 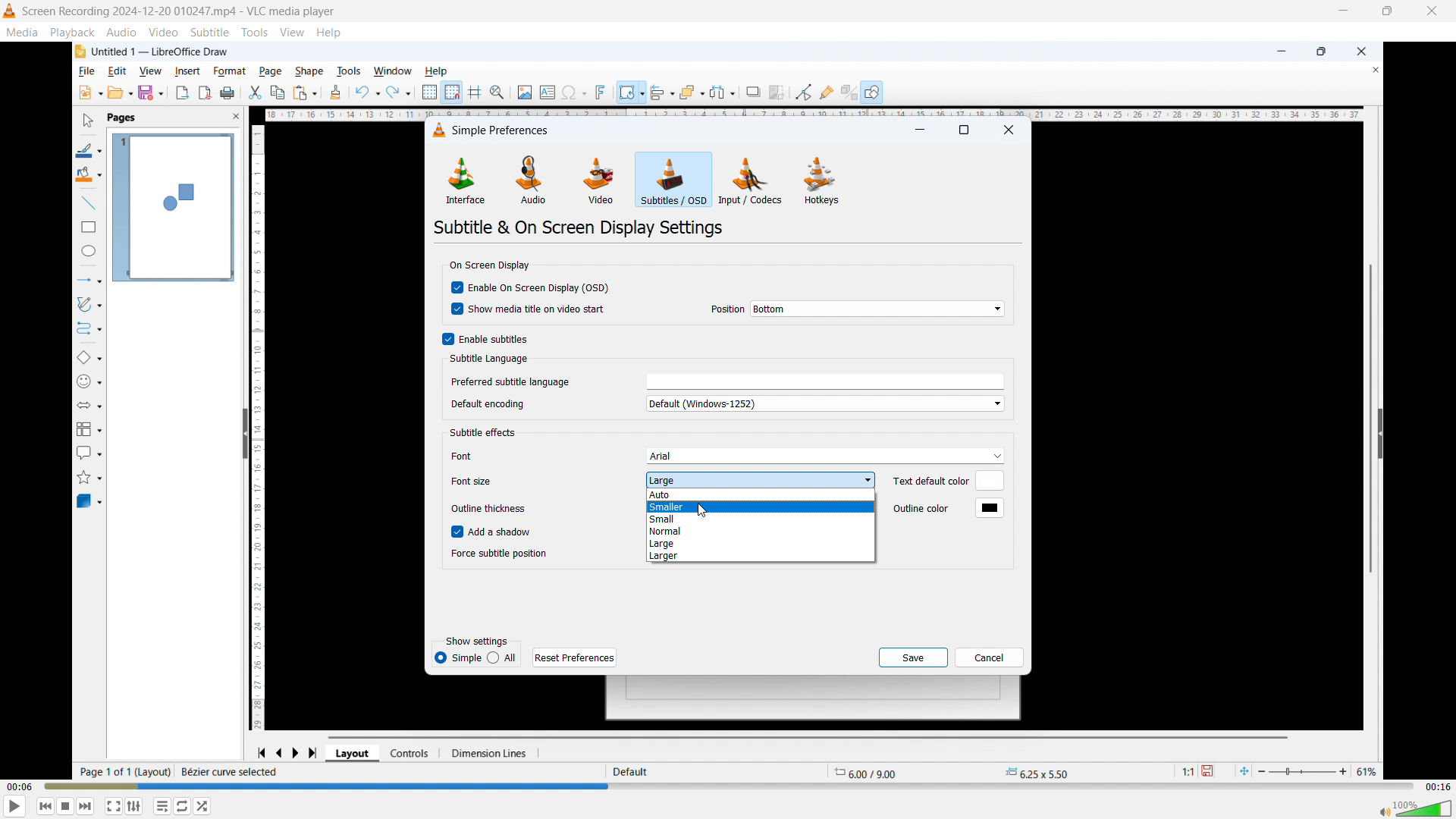 What do you see at coordinates (1341, 12) in the screenshot?
I see `minimise ` at bounding box center [1341, 12].